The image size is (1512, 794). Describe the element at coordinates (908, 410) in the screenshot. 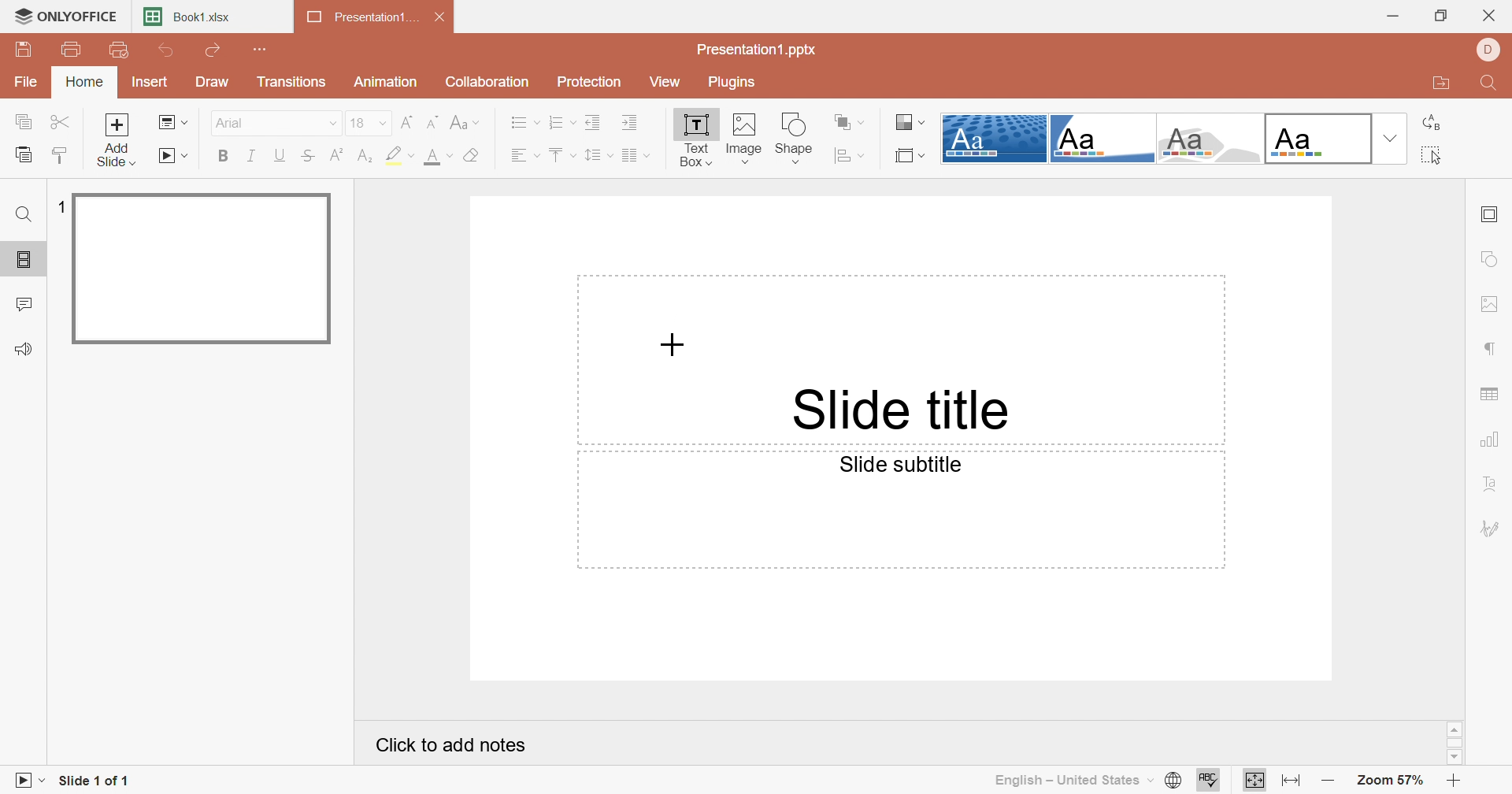

I see `Slide title` at that location.